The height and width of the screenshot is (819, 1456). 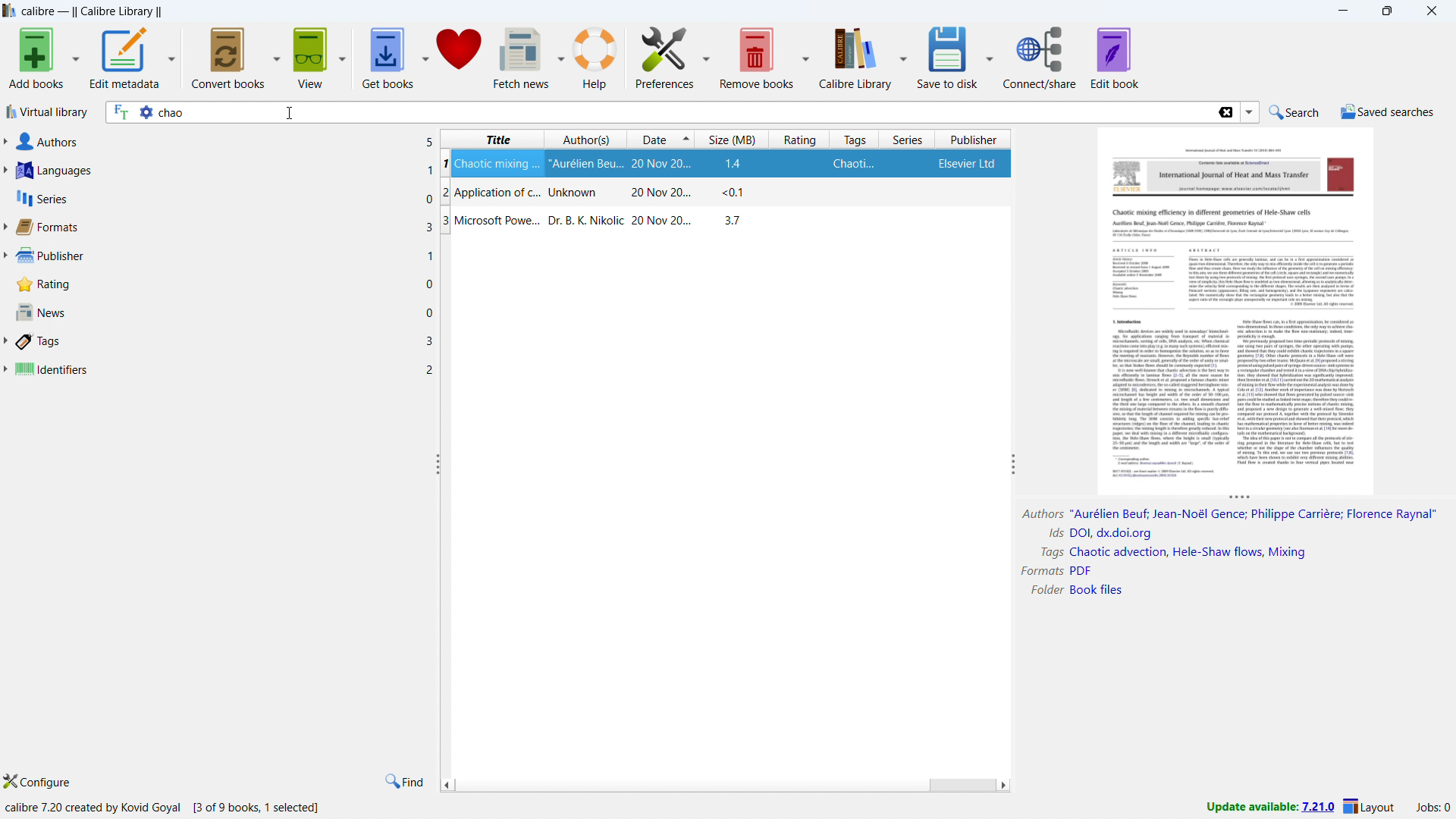 What do you see at coordinates (224, 342) in the screenshot?
I see `tags` at bounding box center [224, 342].